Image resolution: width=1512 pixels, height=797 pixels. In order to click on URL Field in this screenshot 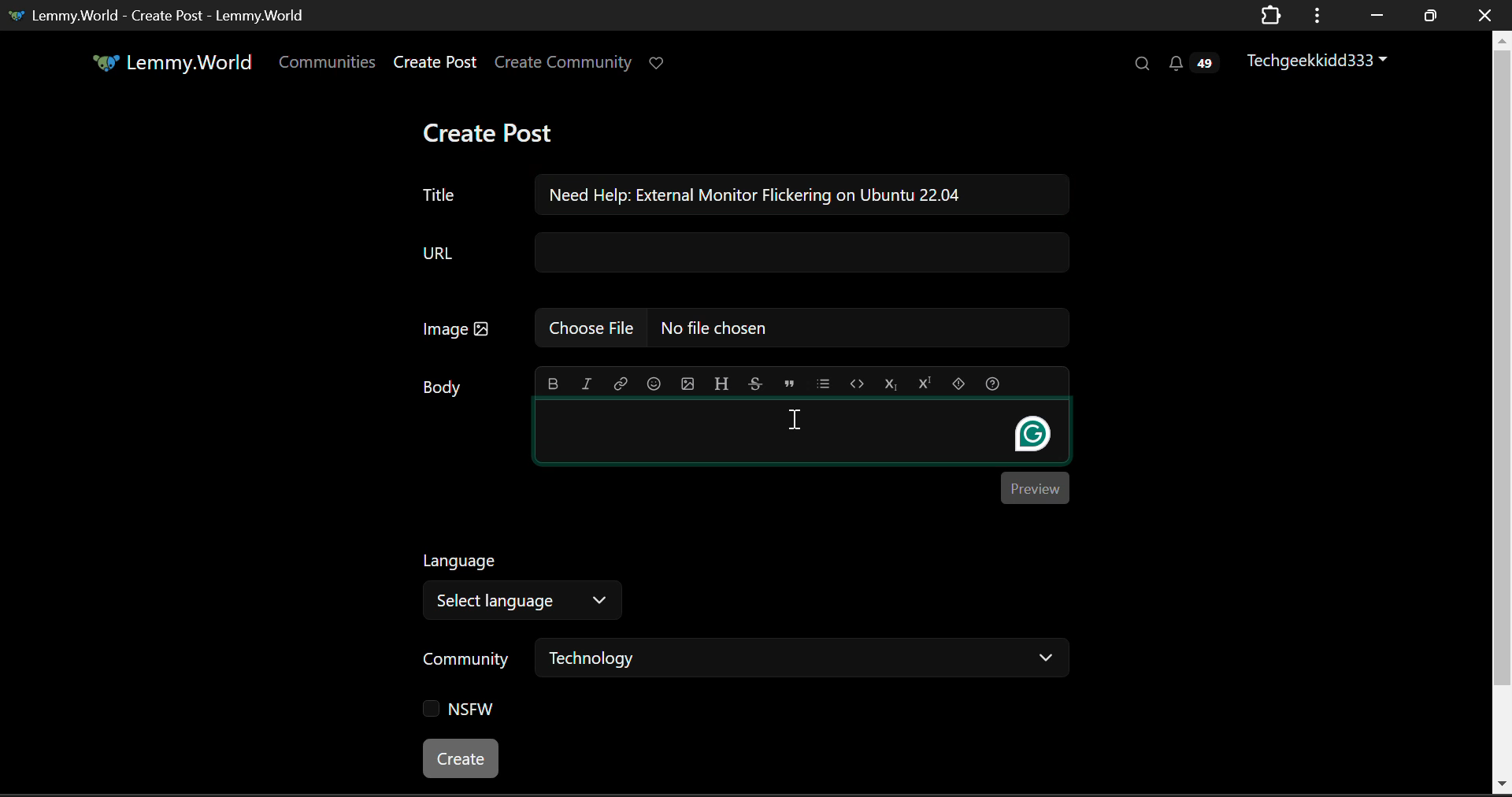, I will do `click(733, 251)`.